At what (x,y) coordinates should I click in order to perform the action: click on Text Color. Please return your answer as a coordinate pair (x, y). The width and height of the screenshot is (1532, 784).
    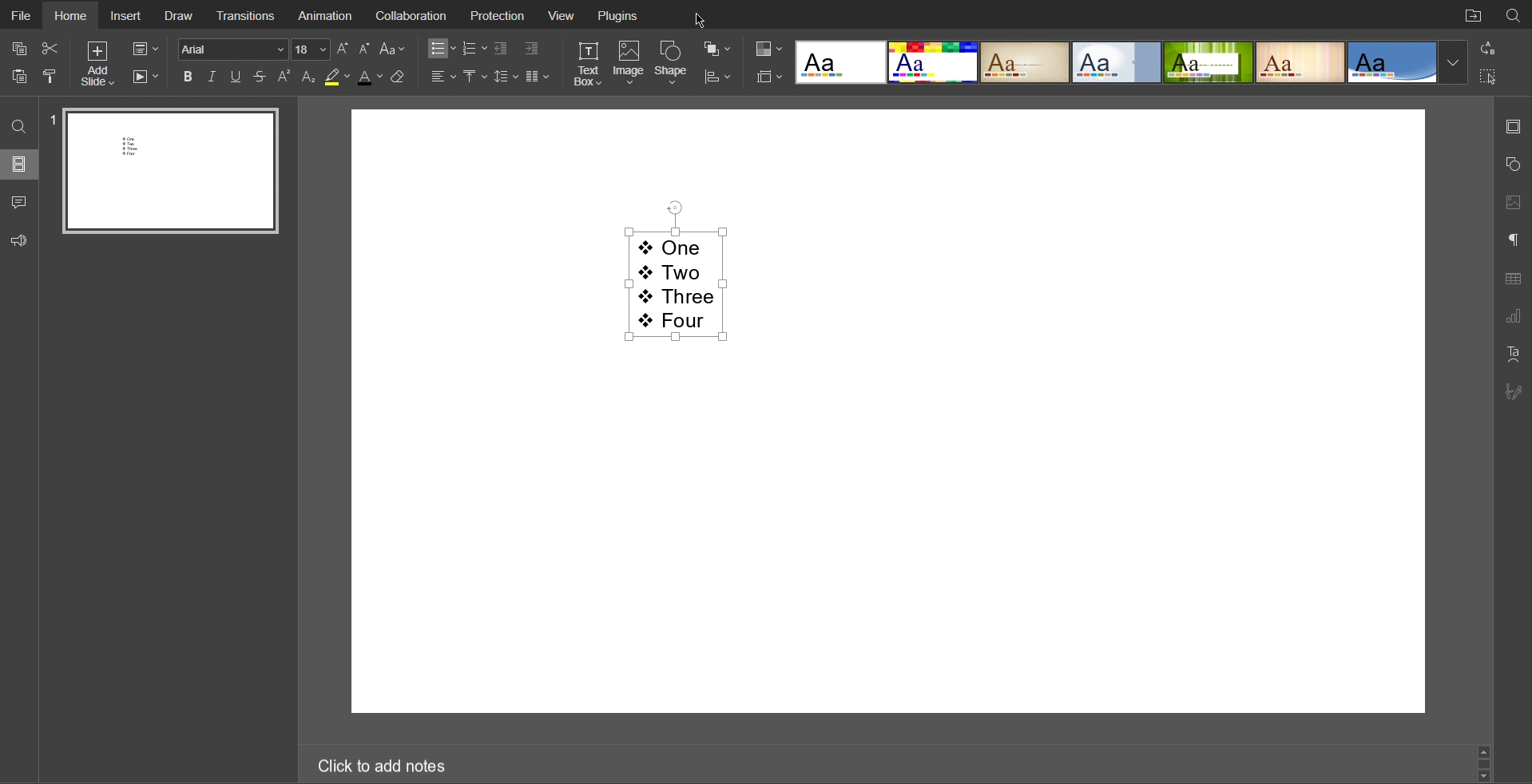
    Looking at the image, I should click on (371, 77).